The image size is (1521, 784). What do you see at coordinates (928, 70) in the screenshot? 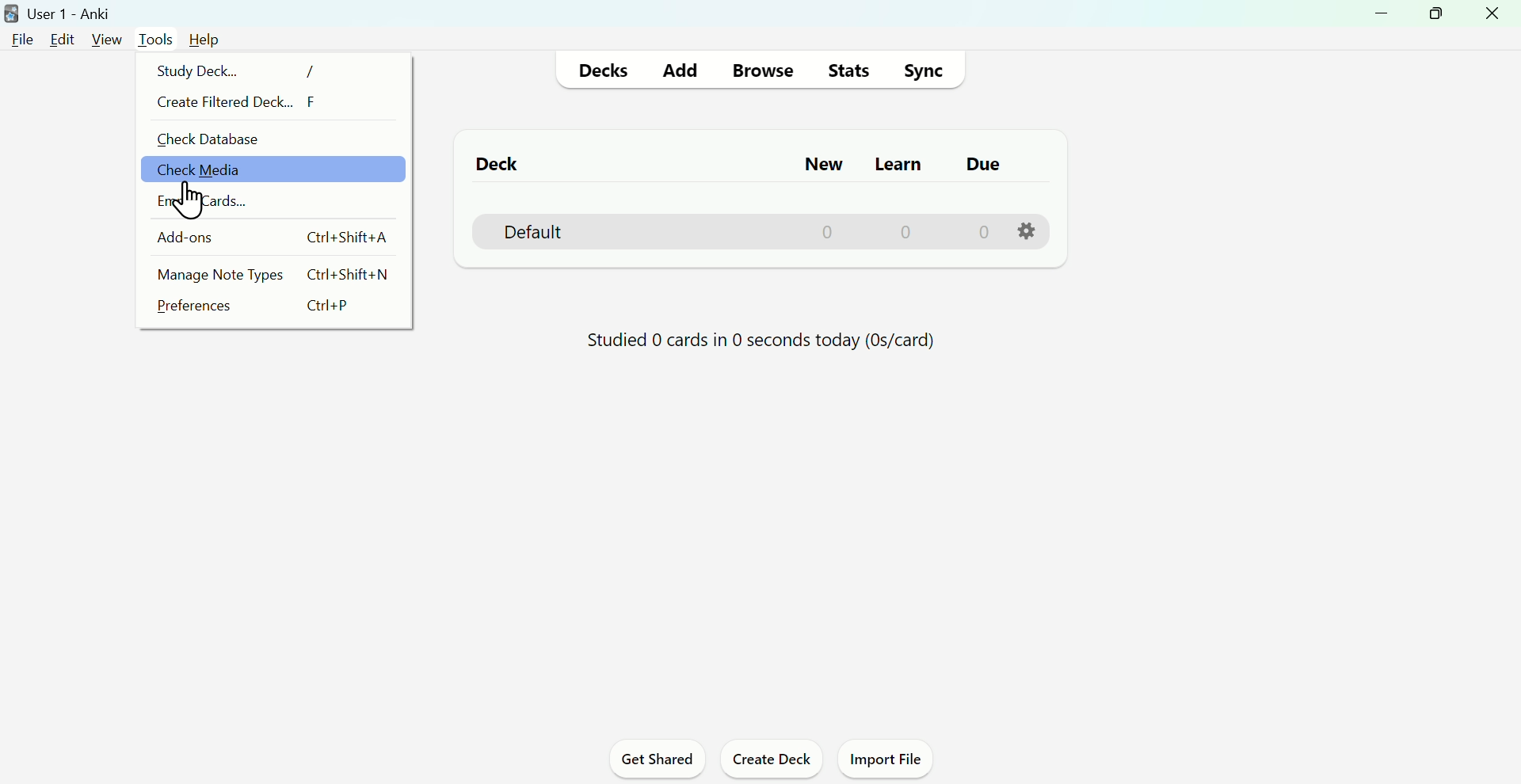
I see `Sync` at bounding box center [928, 70].